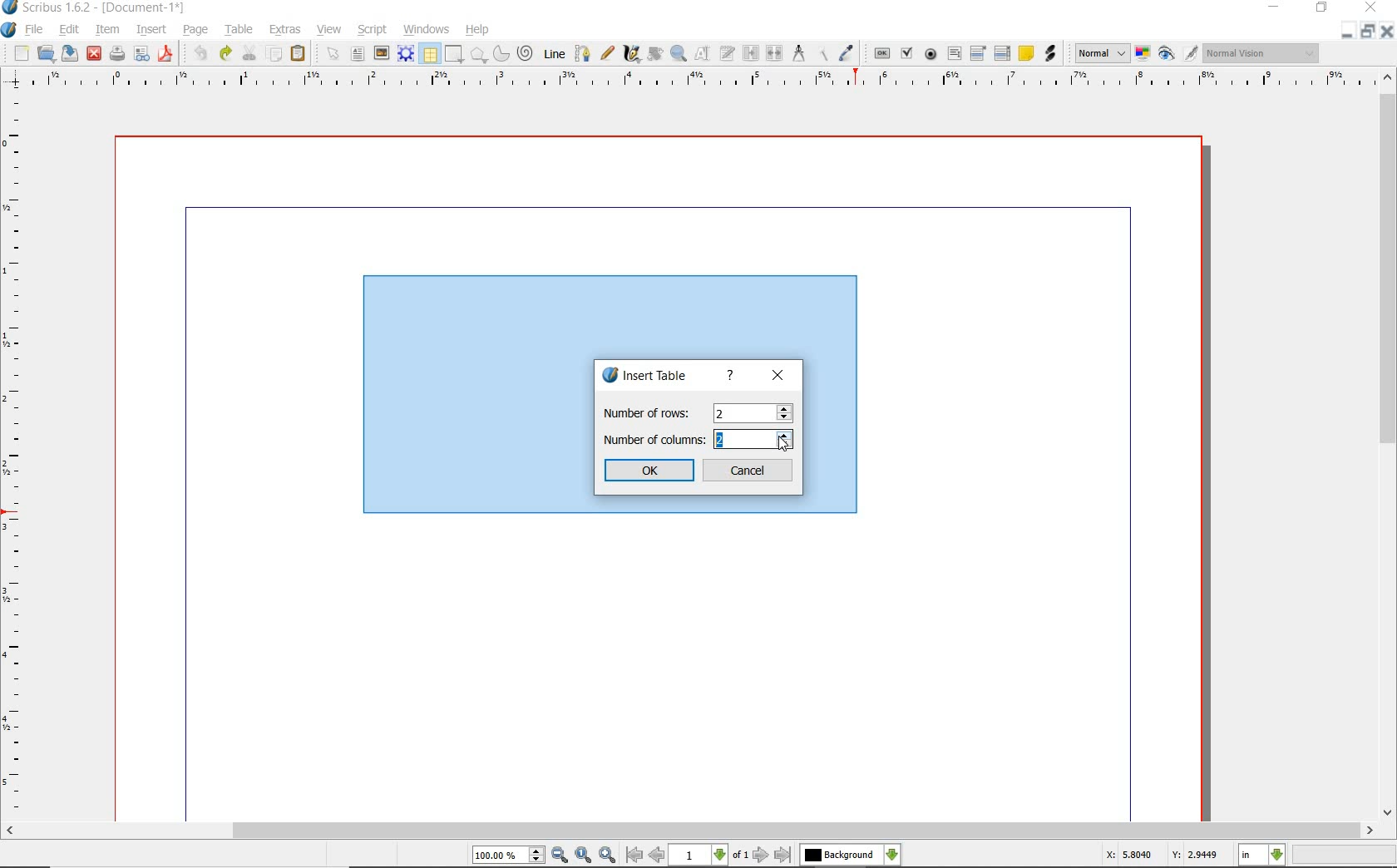 This screenshot has width=1397, height=868. Describe the element at coordinates (503, 55) in the screenshot. I see `arc` at that location.